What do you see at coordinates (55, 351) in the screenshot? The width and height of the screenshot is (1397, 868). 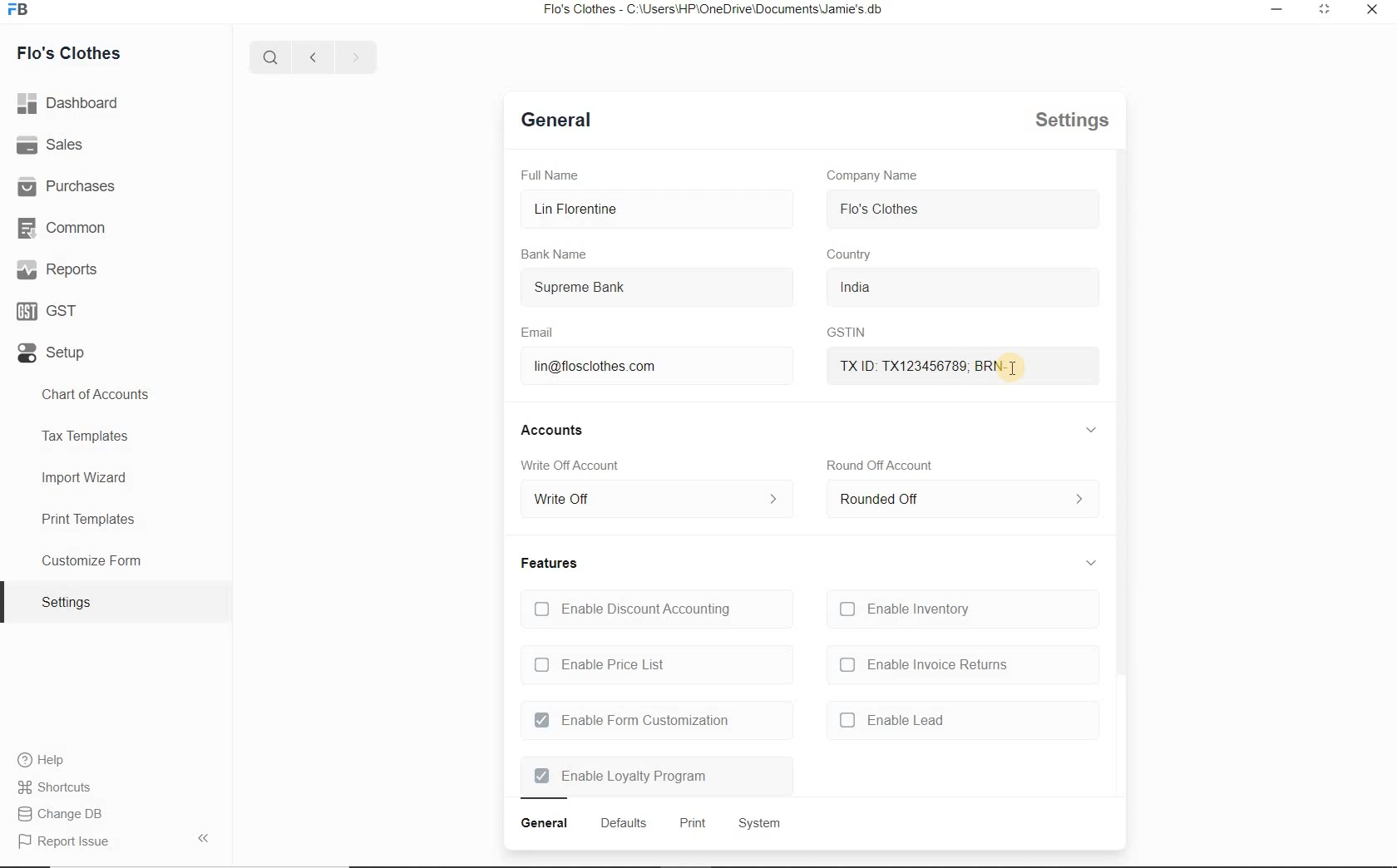 I see `Setup` at bounding box center [55, 351].